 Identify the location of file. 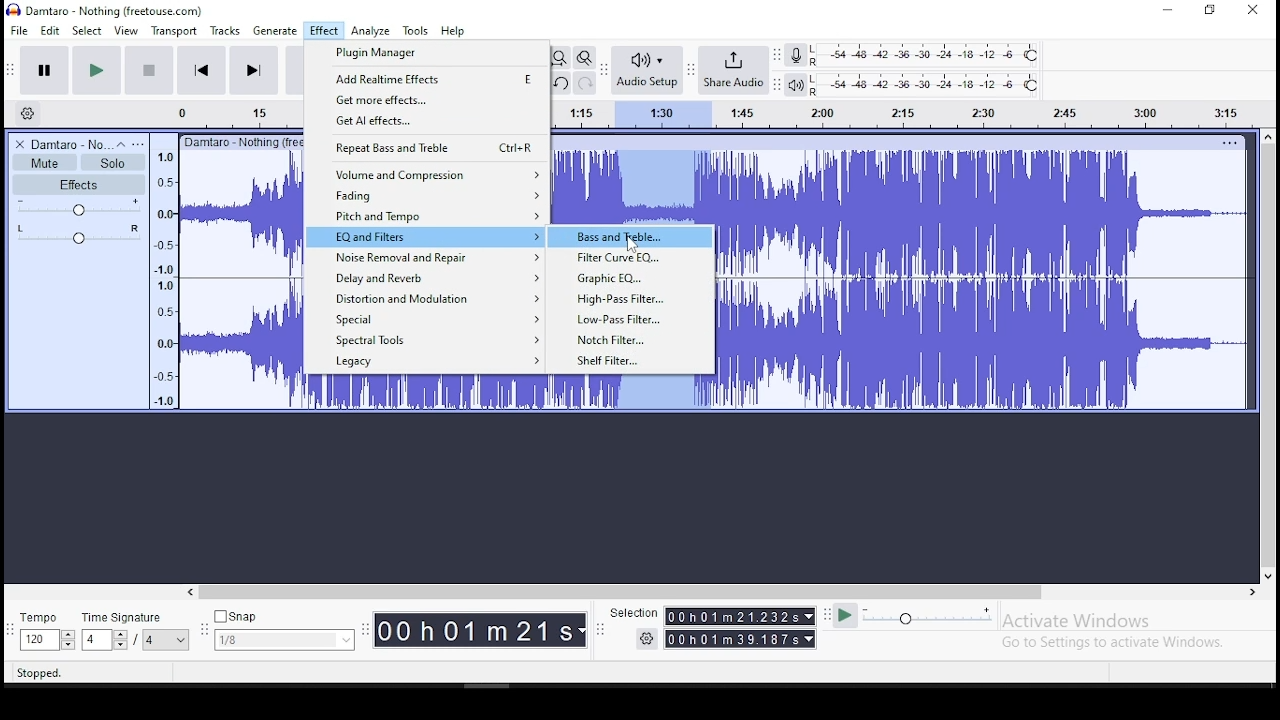
(21, 30).